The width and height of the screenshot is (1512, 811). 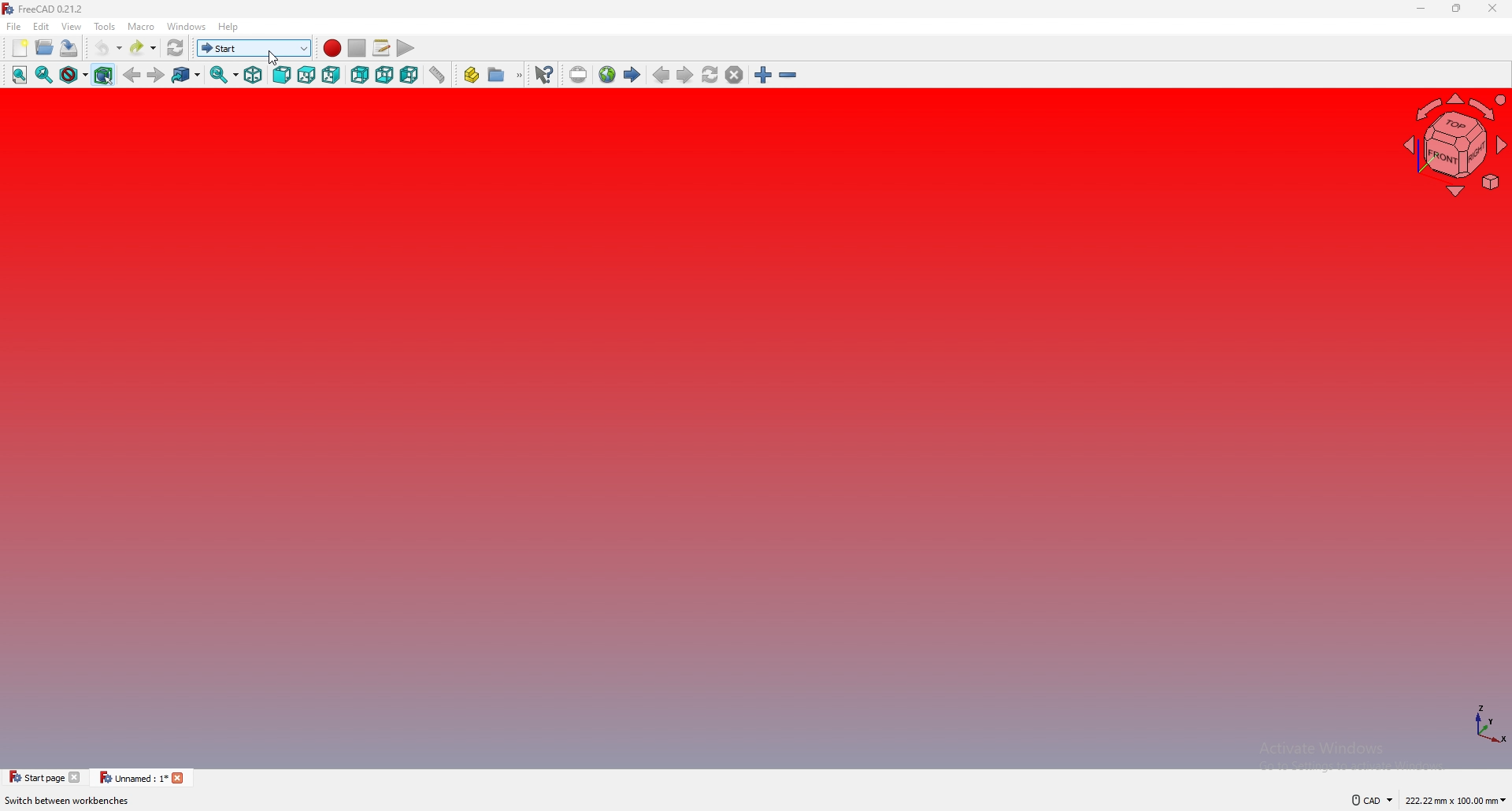 What do you see at coordinates (710, 73) in the screenshot?
I see `refresh webpage` at bounding box center [710, 73].